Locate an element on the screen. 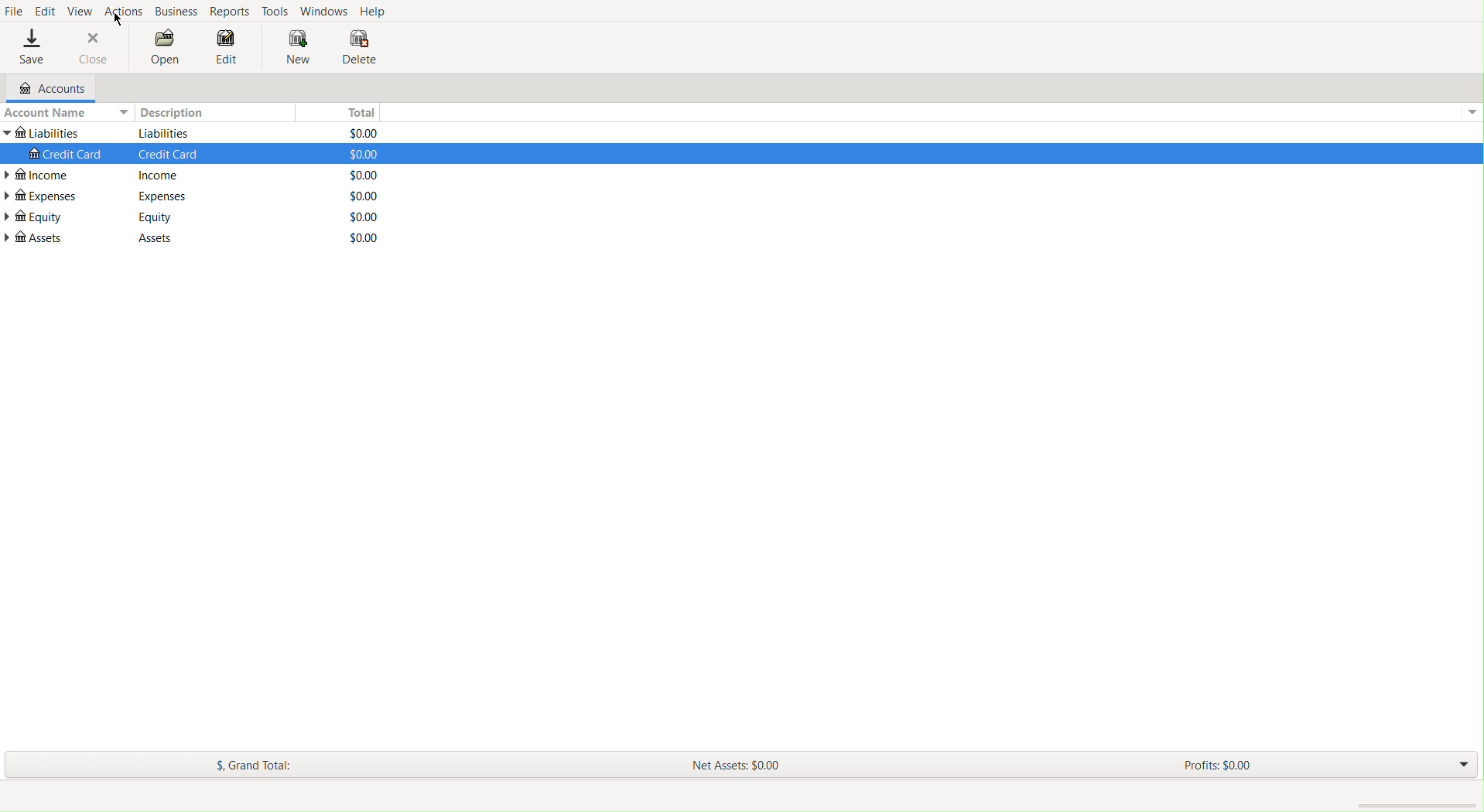 Image resolution: width=1484 pixels, height=812 pixels. Description is located at coordinates (156, 217).